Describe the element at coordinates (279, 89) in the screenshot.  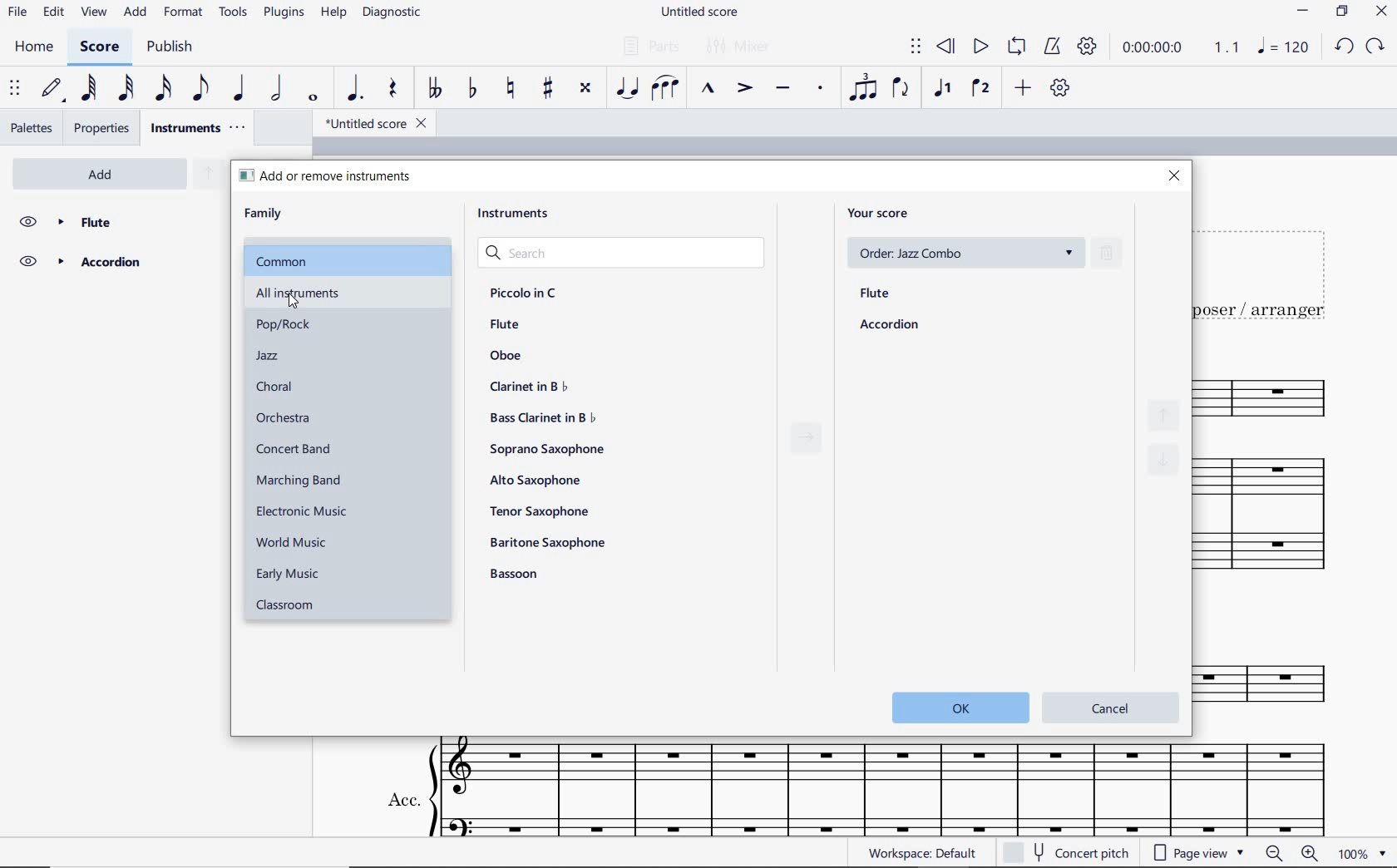
I see `half note` at that location.